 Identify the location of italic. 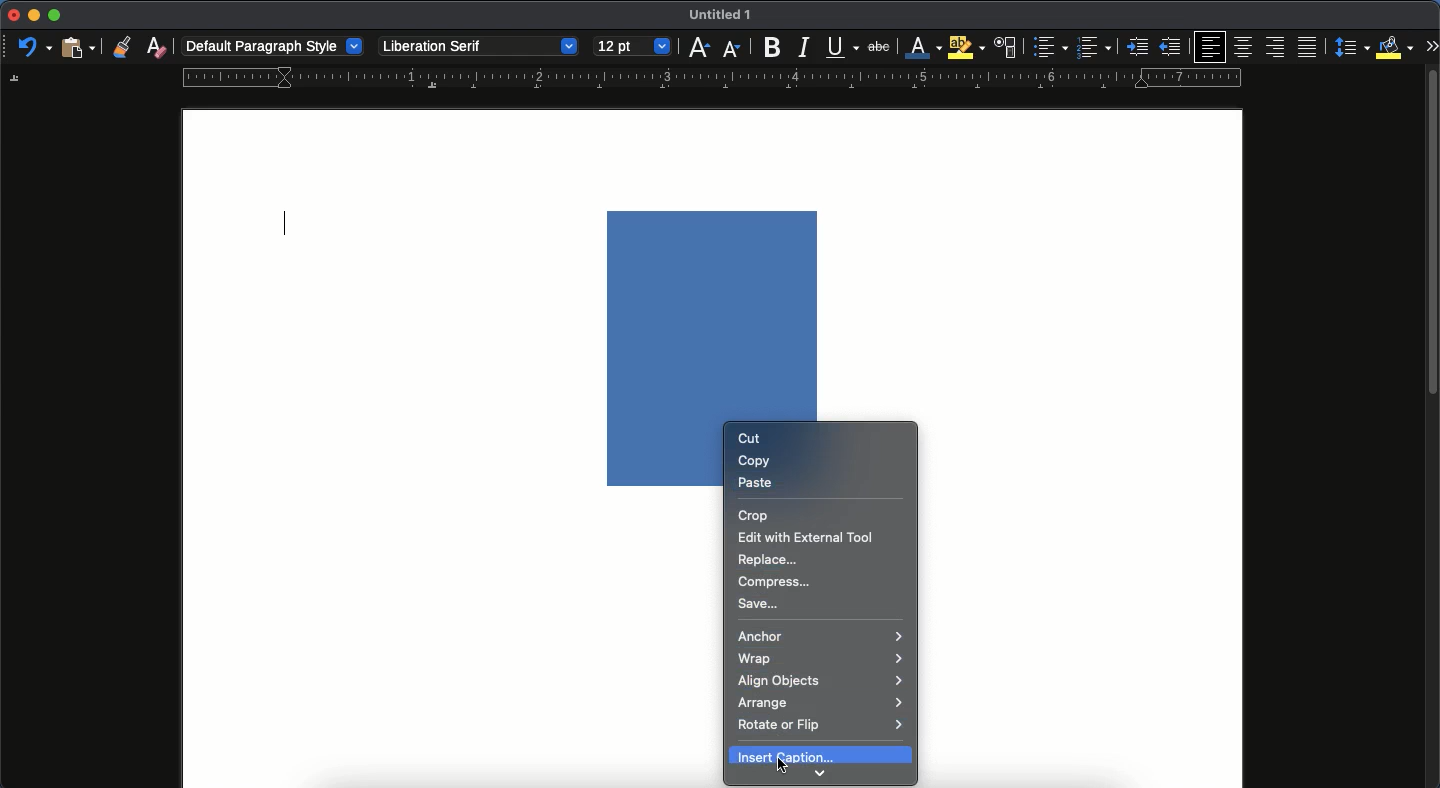
(802, 51).